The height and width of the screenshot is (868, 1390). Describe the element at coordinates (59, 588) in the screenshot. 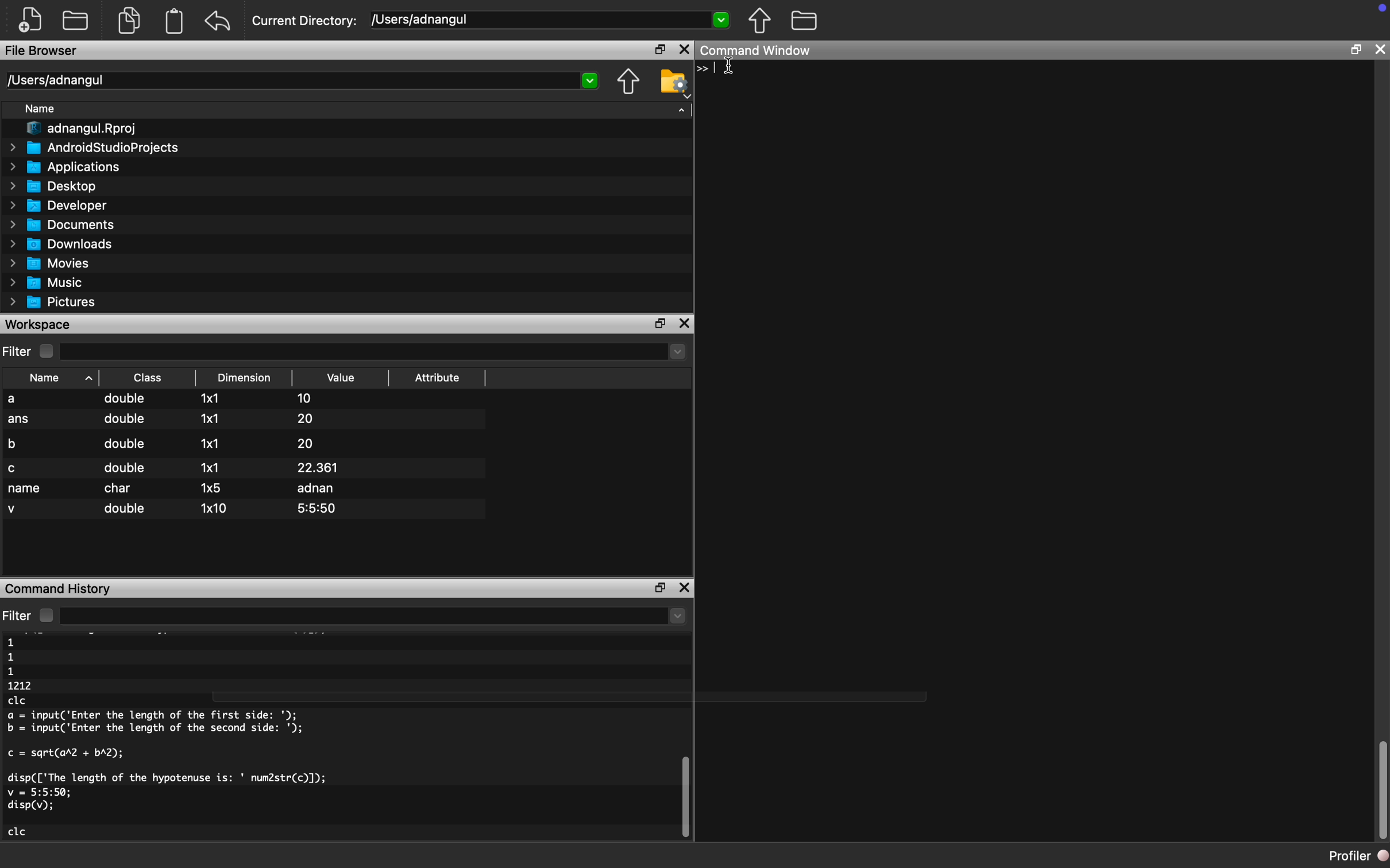

I see `Command History` at that location.